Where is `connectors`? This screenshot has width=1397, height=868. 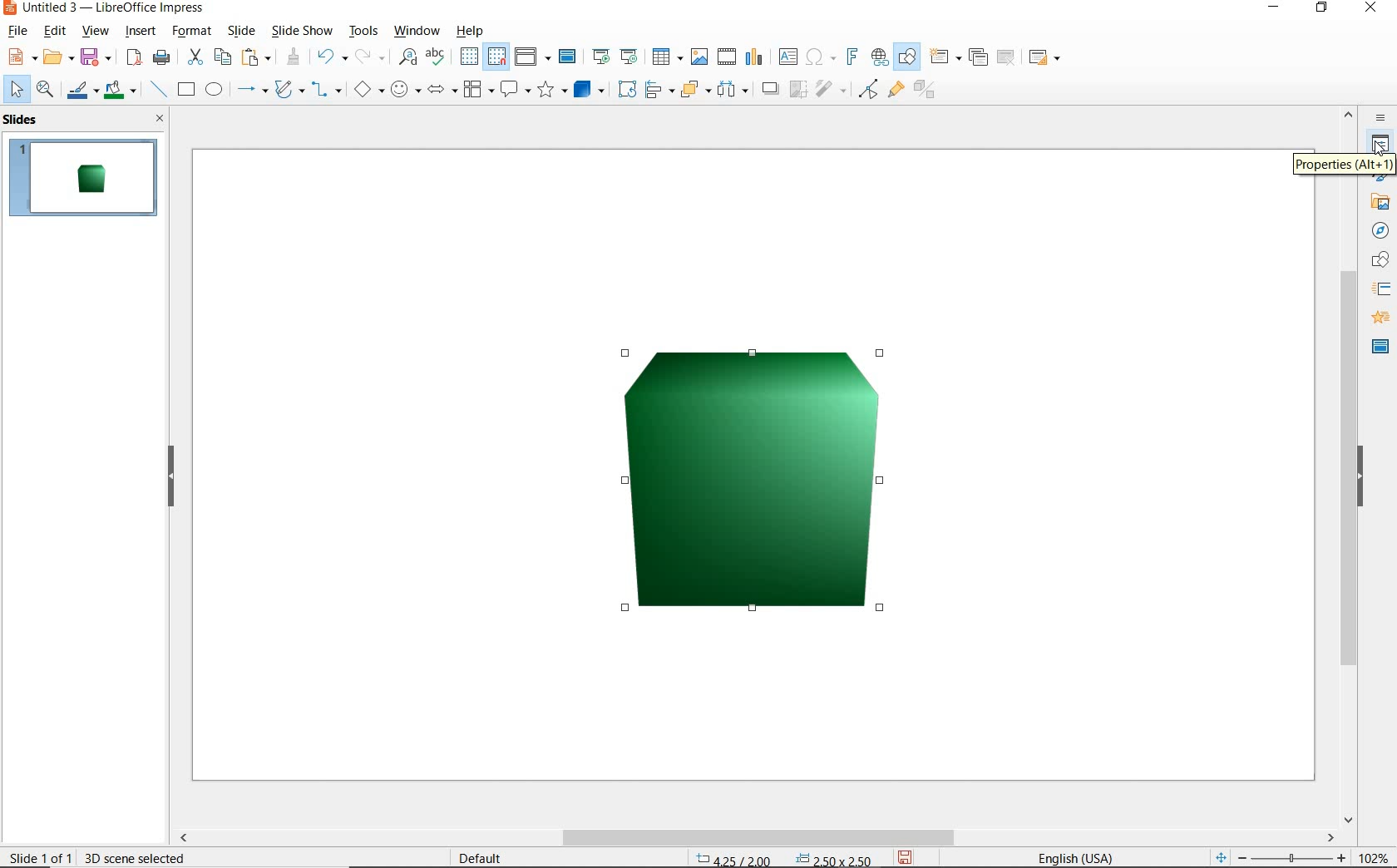 connectors is located at coordinates (329, 90).